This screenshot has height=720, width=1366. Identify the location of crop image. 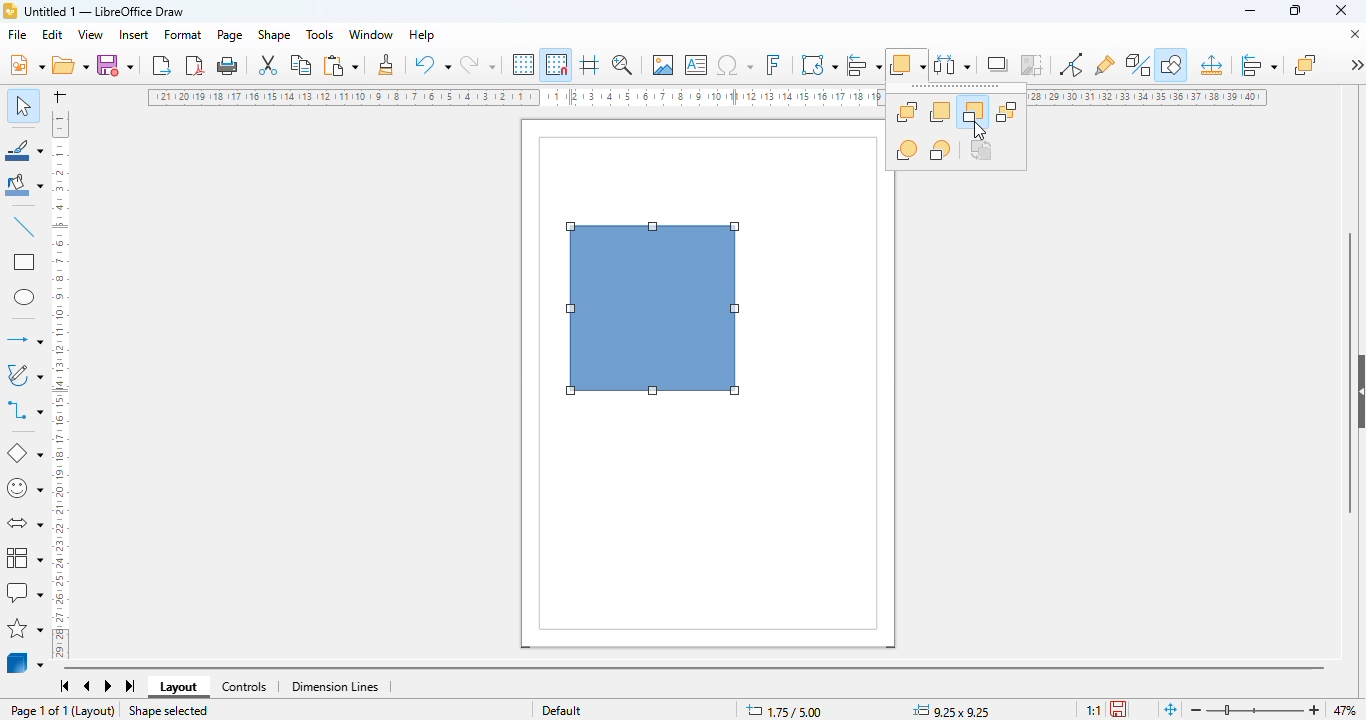
(1033, 65).